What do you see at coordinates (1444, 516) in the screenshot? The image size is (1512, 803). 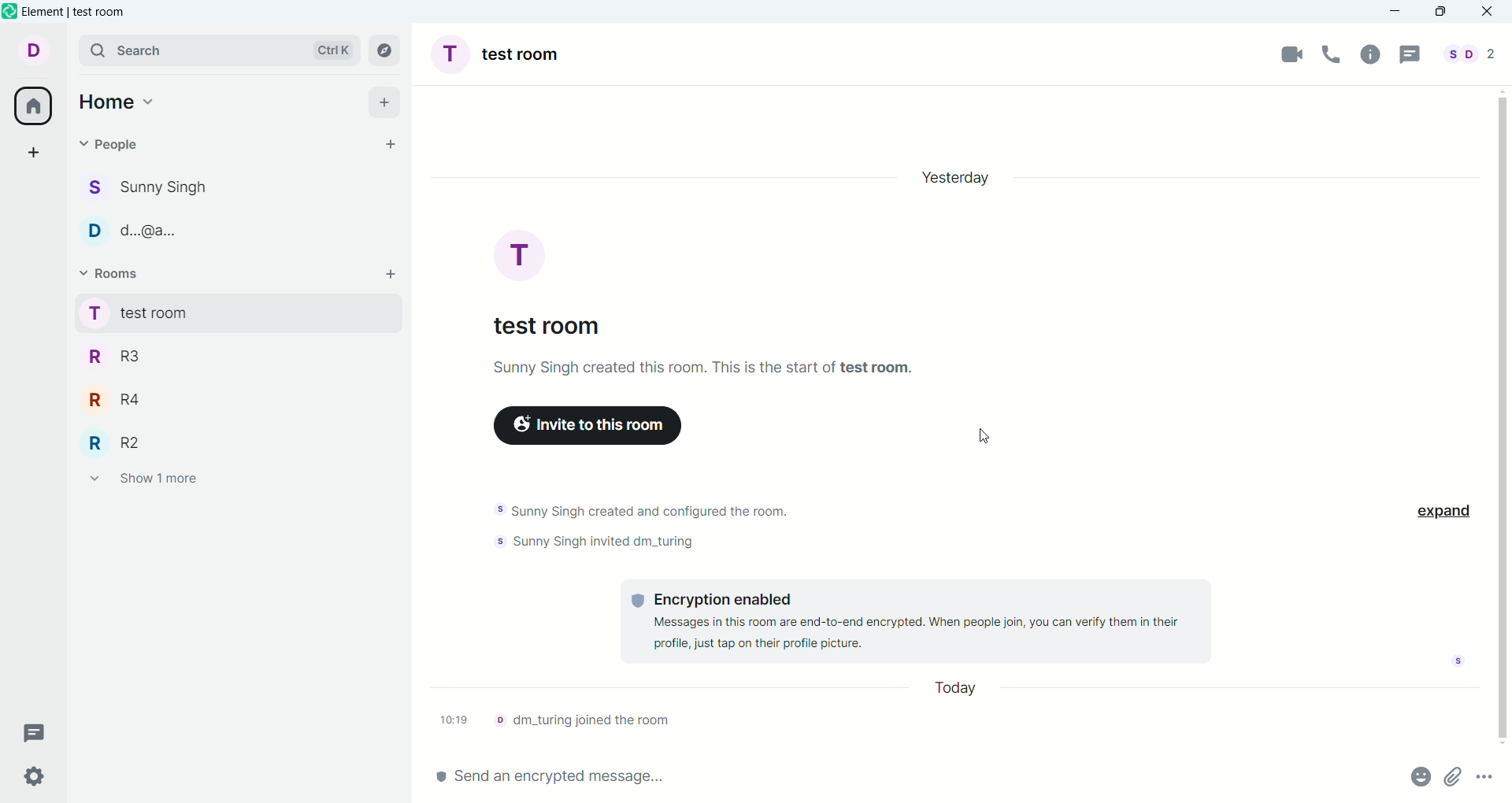 I see `expand` at bounding box center [1444, 516].